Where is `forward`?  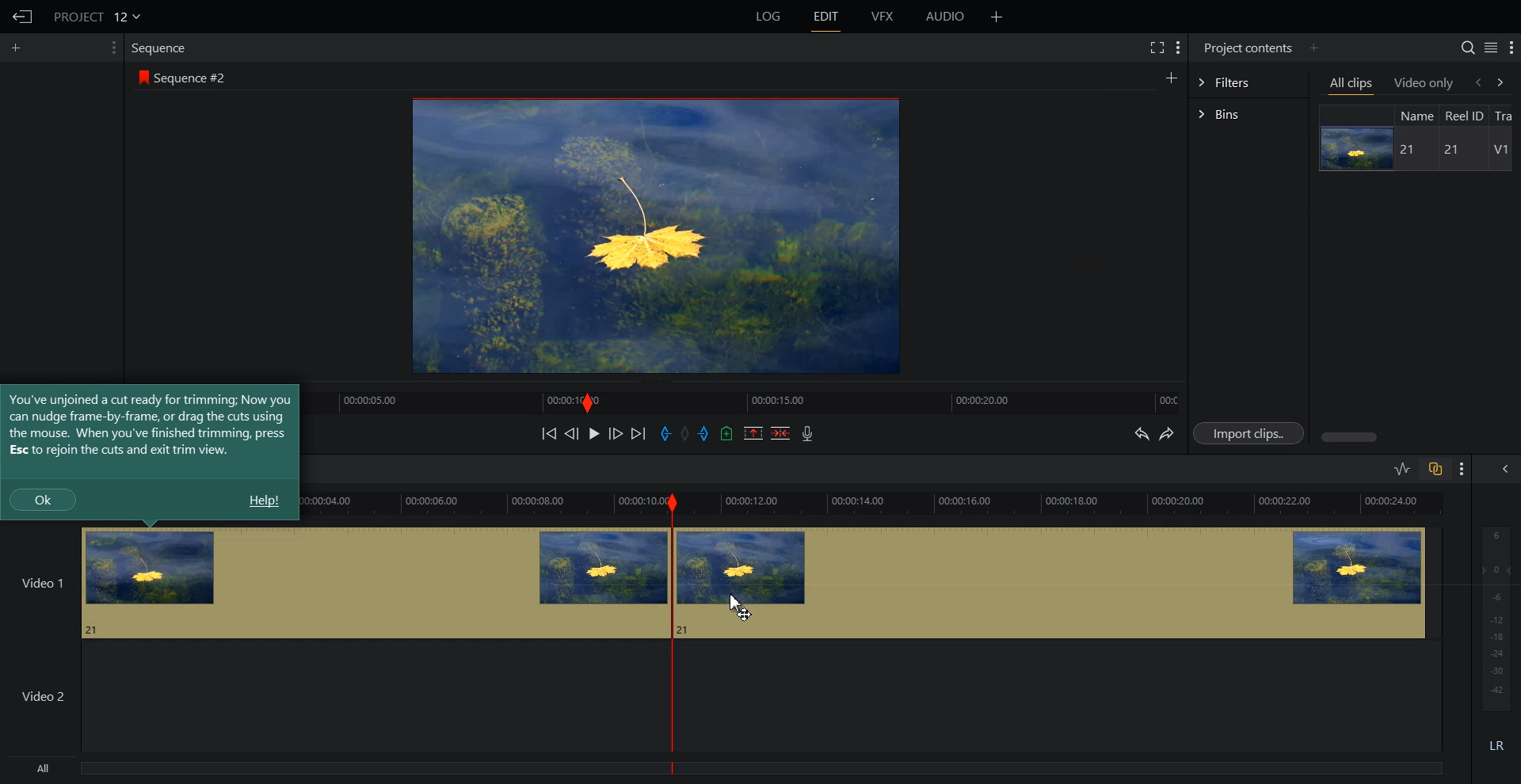 forward is located at coordinates (1507, 82).